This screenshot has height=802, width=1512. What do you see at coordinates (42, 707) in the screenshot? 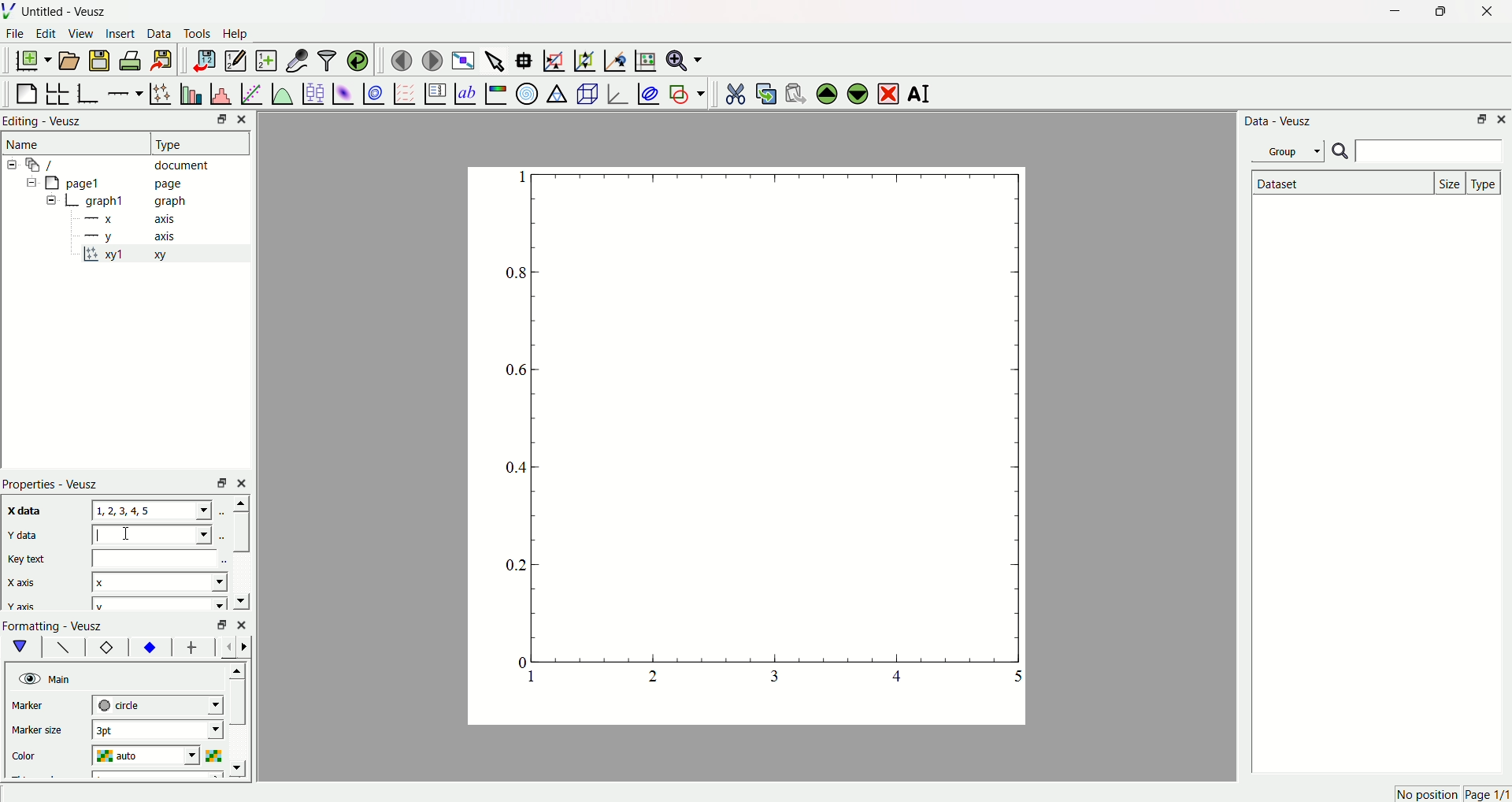
I see `Marker` at bounding box center [42, 707].